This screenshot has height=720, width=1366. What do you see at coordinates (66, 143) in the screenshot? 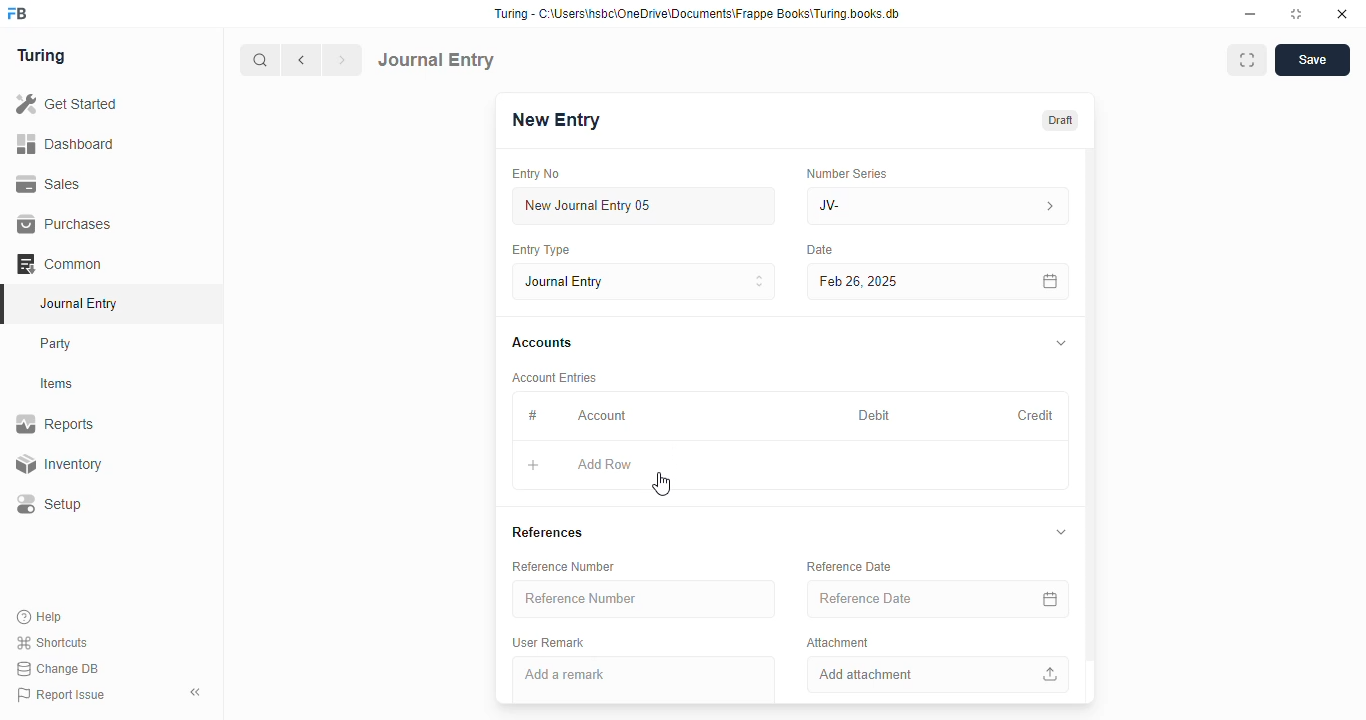
I see `dashboard` at bounding box center [66, 143].